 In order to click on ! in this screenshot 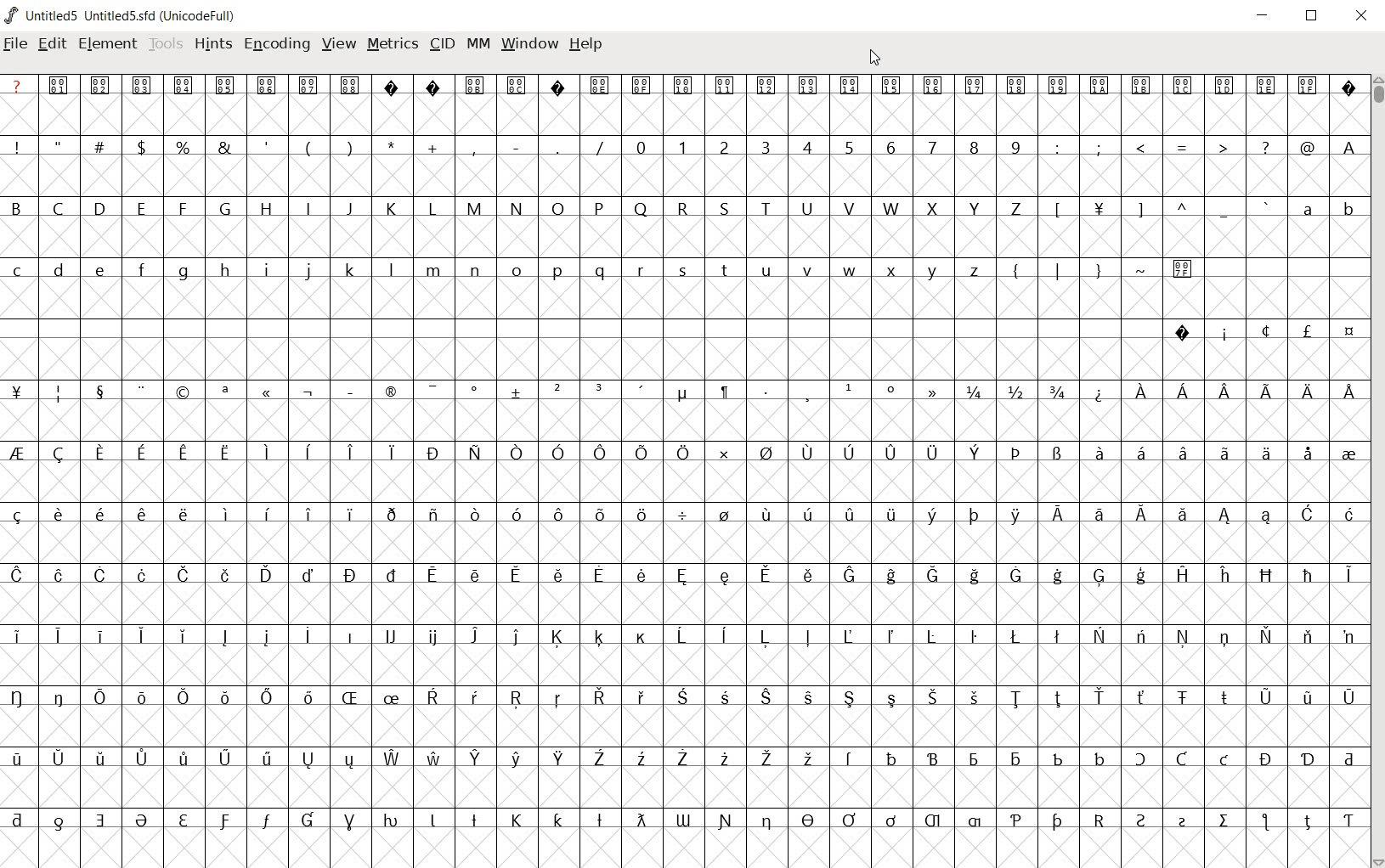, I will do `click(21, 146)`.